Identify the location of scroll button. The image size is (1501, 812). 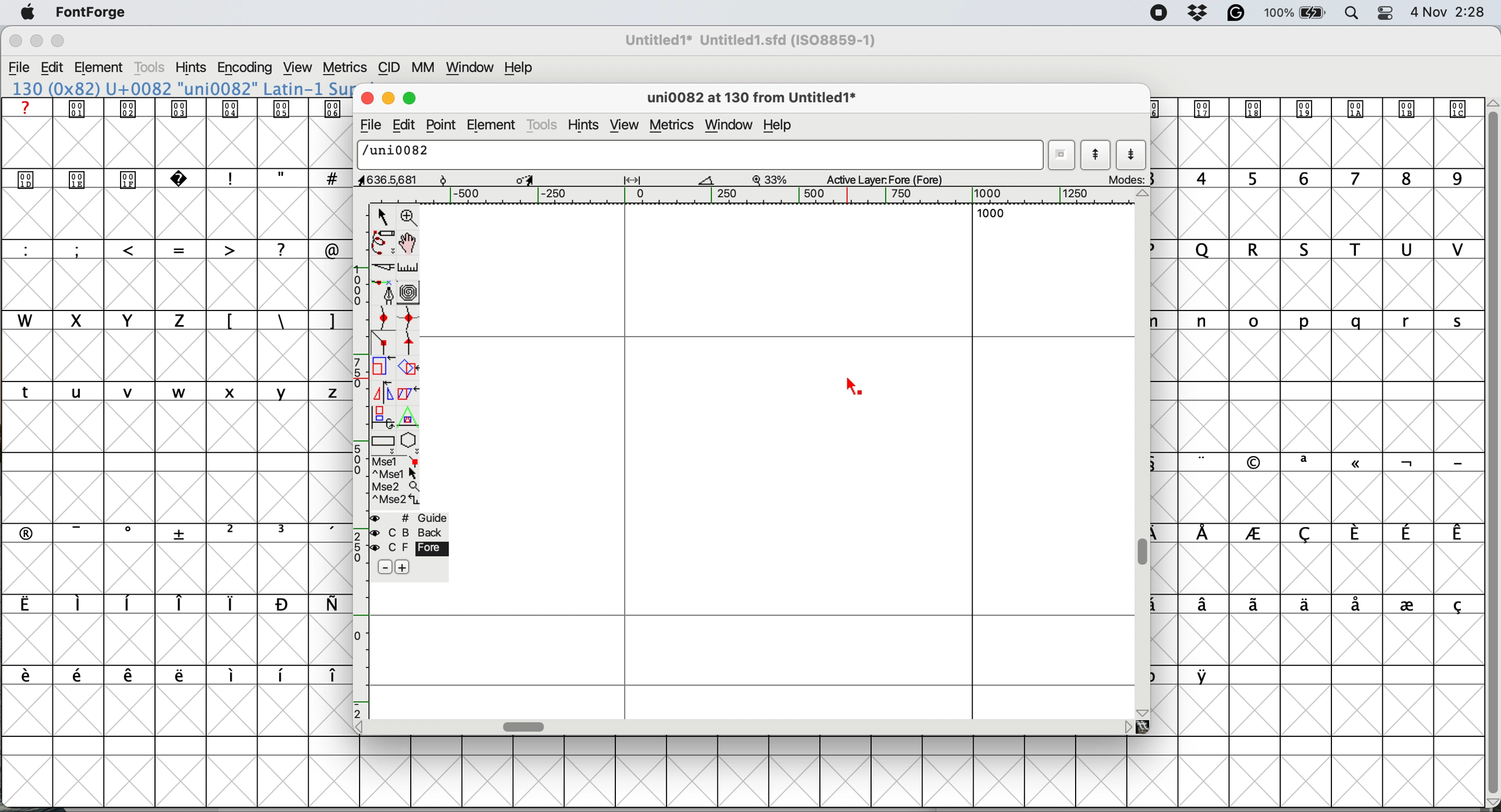
(1127, 726).